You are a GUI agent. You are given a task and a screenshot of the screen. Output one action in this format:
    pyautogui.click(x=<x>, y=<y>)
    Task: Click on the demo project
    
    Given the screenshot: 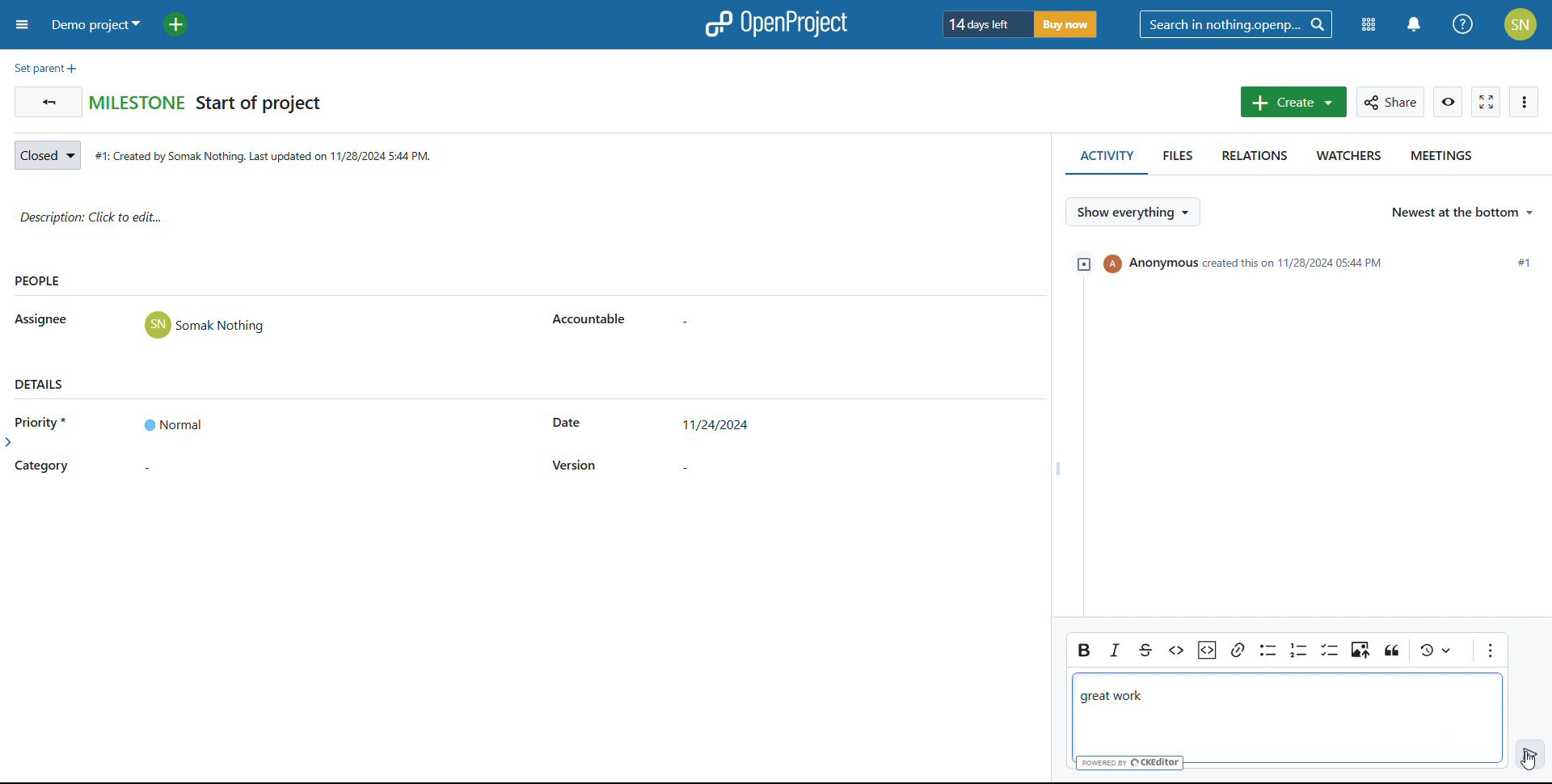 What is the action you would take?
    pyautogui.click(x=97, y=24)
    